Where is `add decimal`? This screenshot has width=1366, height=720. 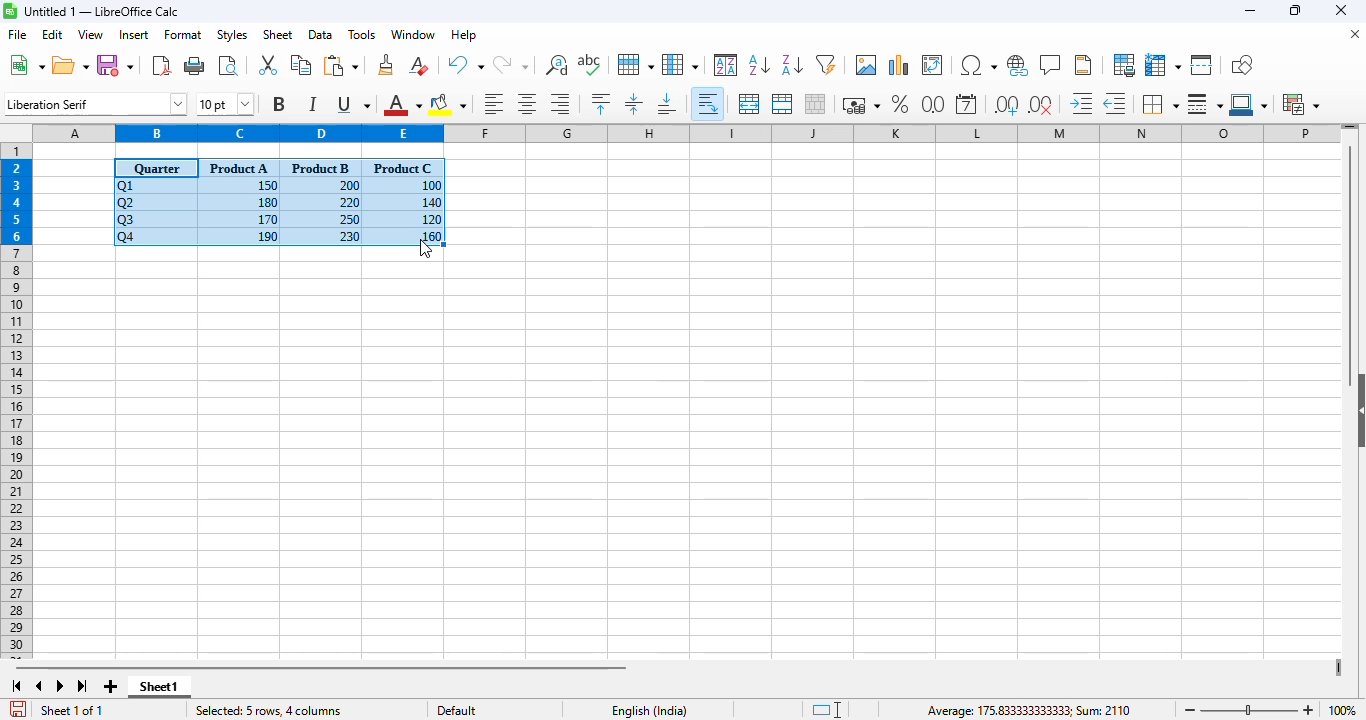
add decimal is located at coordinates (1007, 105).